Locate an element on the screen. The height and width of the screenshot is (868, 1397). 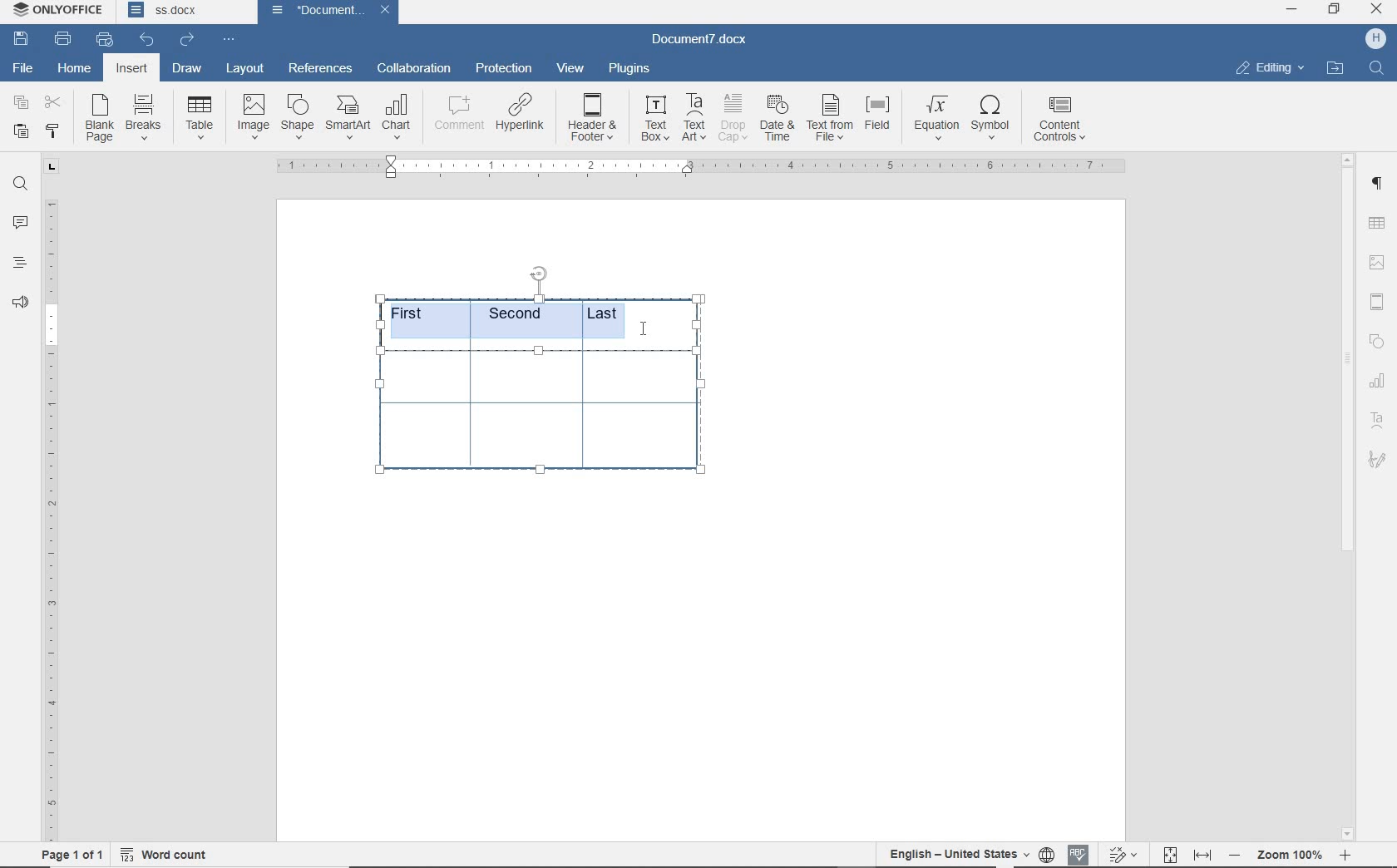
RESTORE DOWN is located at coordinates (1335, 10).